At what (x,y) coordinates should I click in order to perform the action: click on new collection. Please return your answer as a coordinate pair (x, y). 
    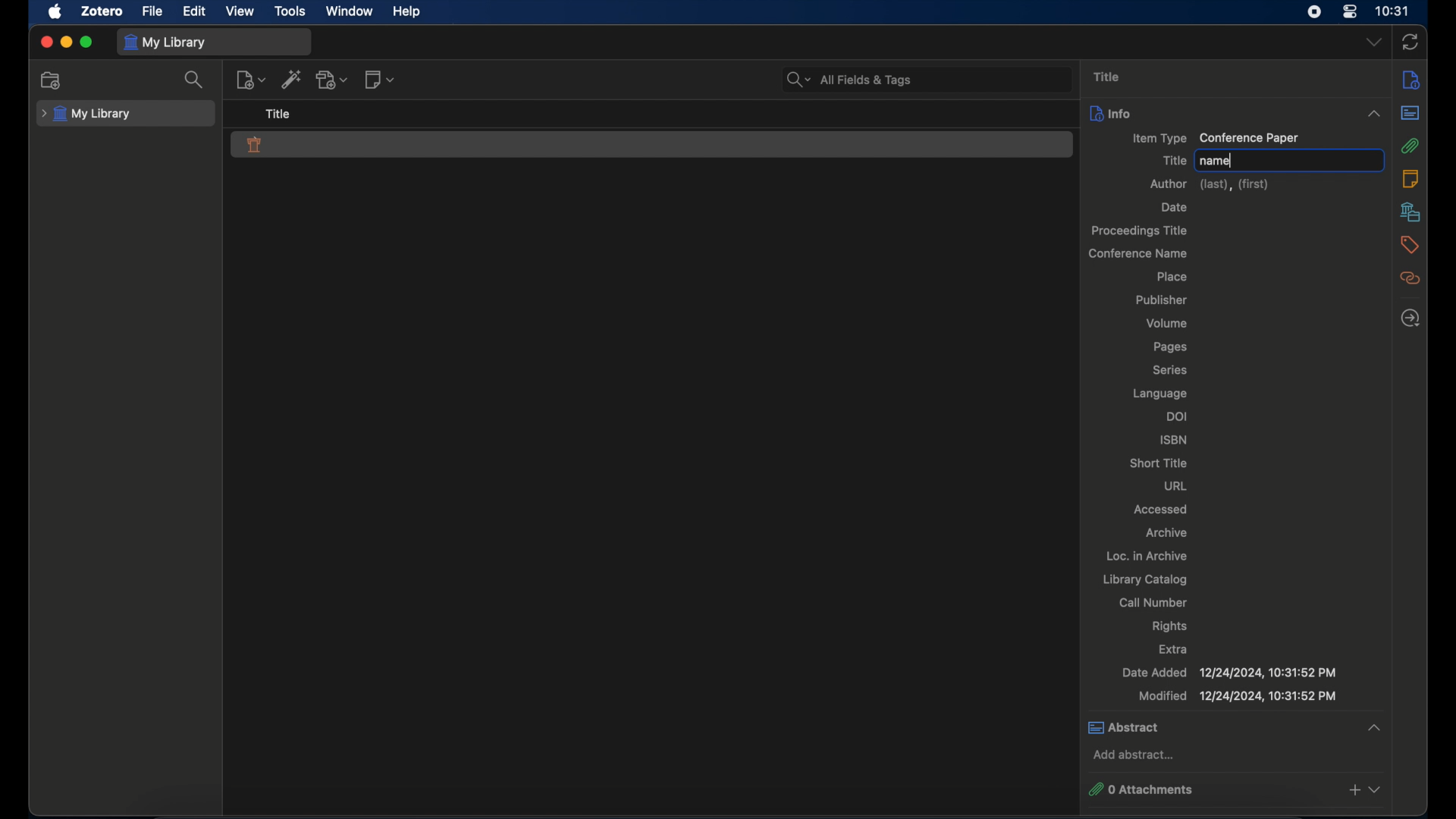
    Looking at the image, I should click on (52, 80).